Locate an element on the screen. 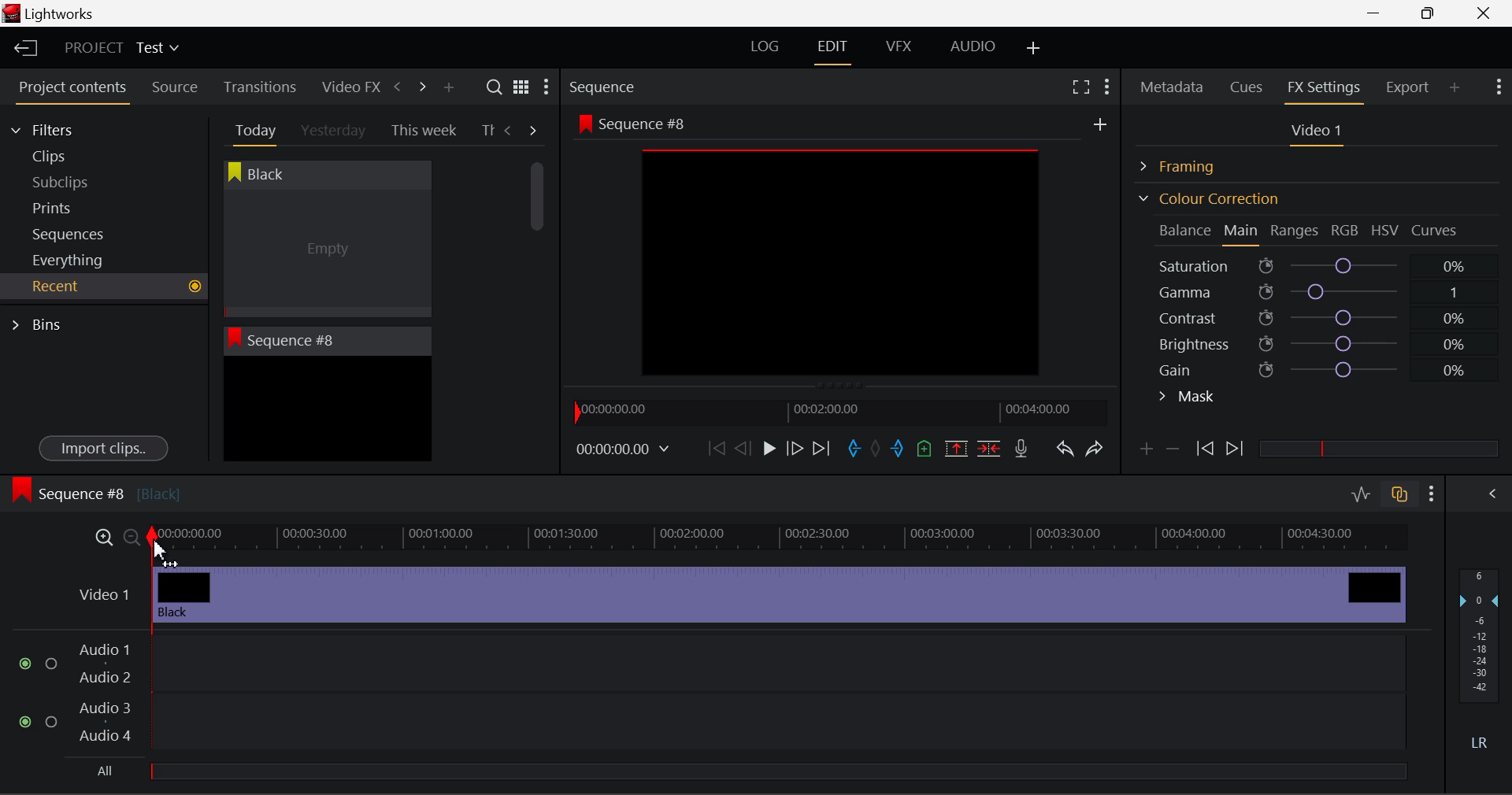  Previous Panel is located at coordinates (397, 87).